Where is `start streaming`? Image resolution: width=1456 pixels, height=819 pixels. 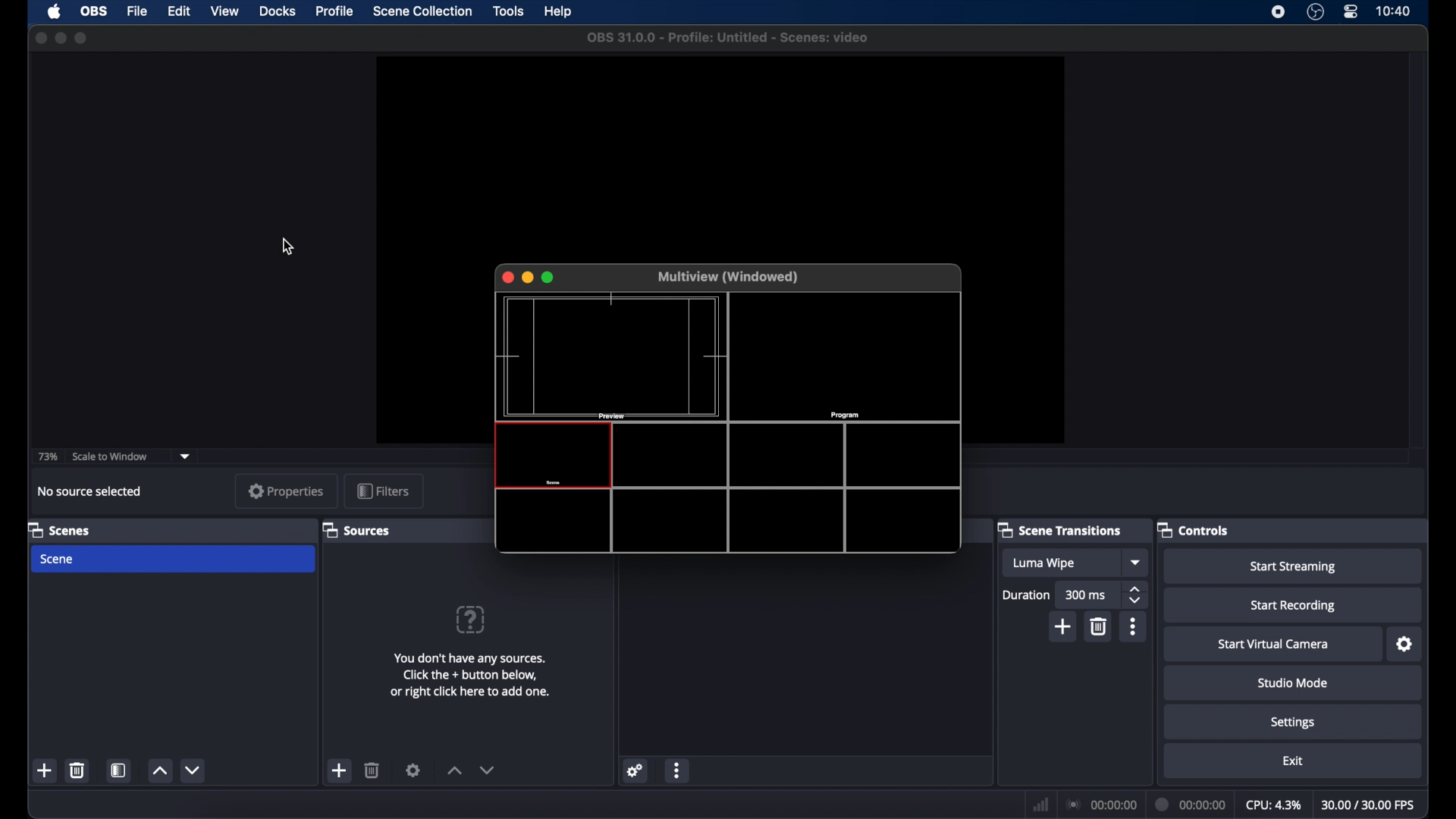
start streaming is located at coordinates (1293, 565).